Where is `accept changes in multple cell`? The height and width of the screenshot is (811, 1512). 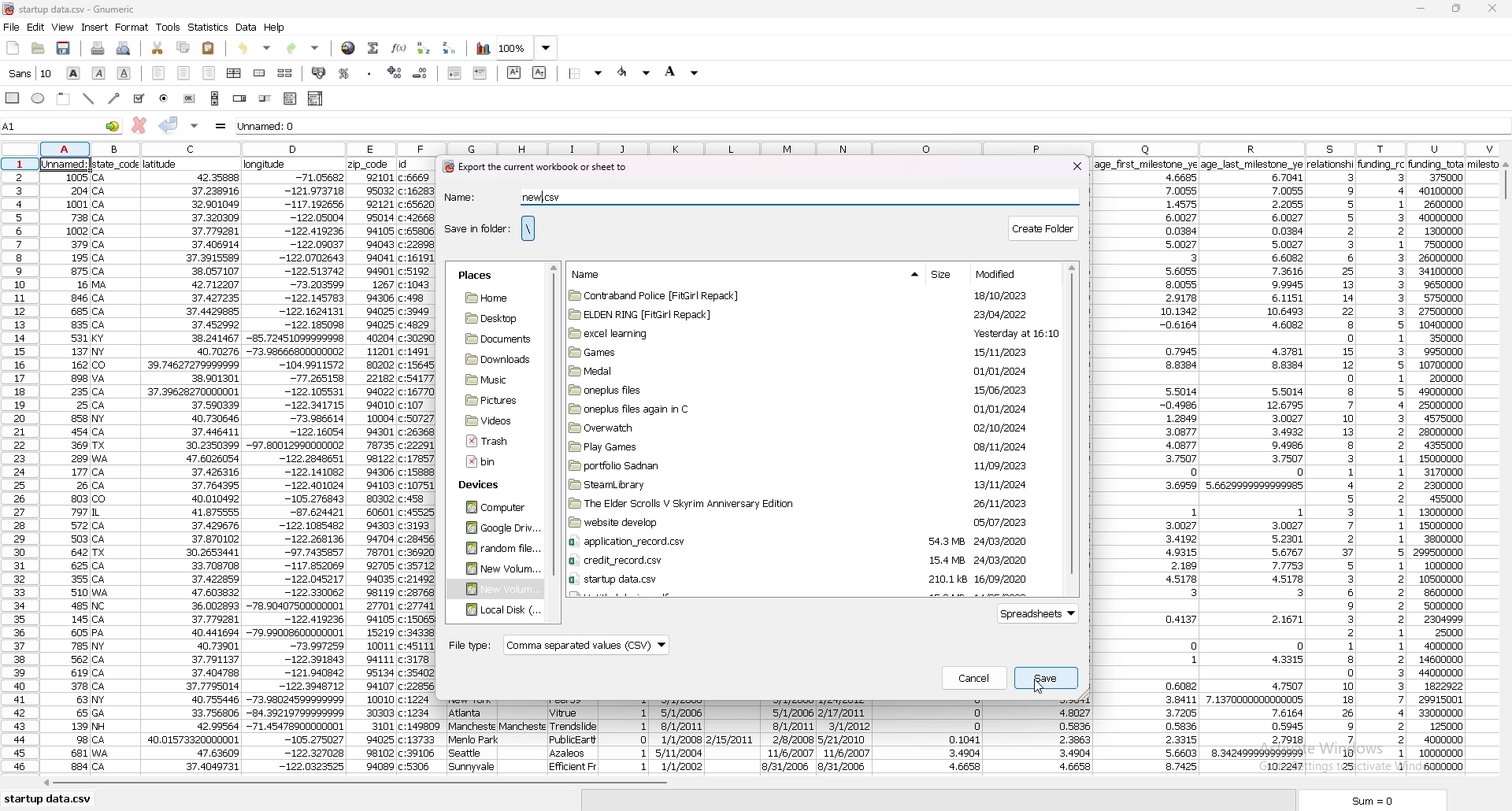 accept changes in multple cell is located at coordinates (194, 126).